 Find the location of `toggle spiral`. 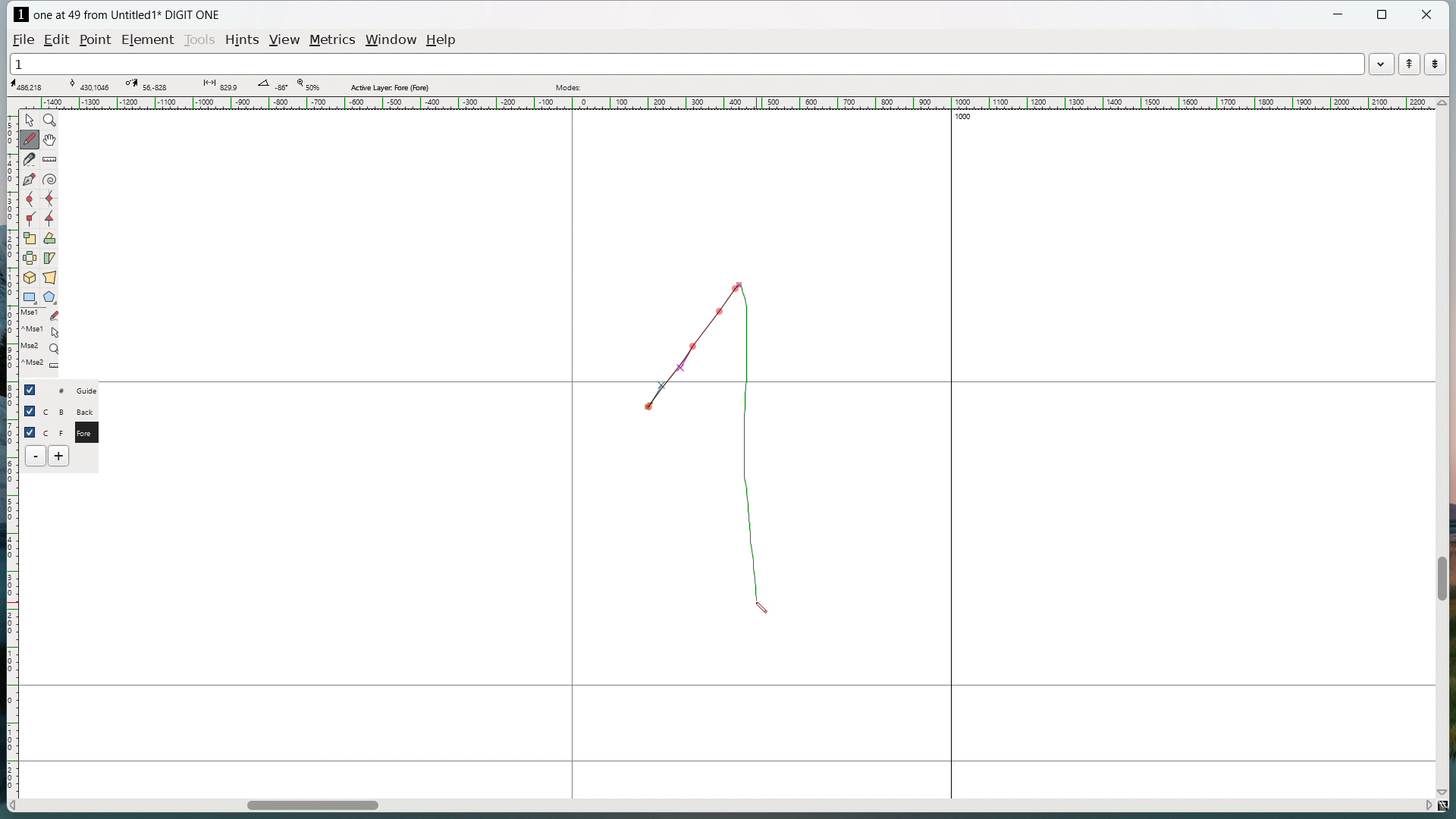

toggle spiral is located at coordinates (50, 180).